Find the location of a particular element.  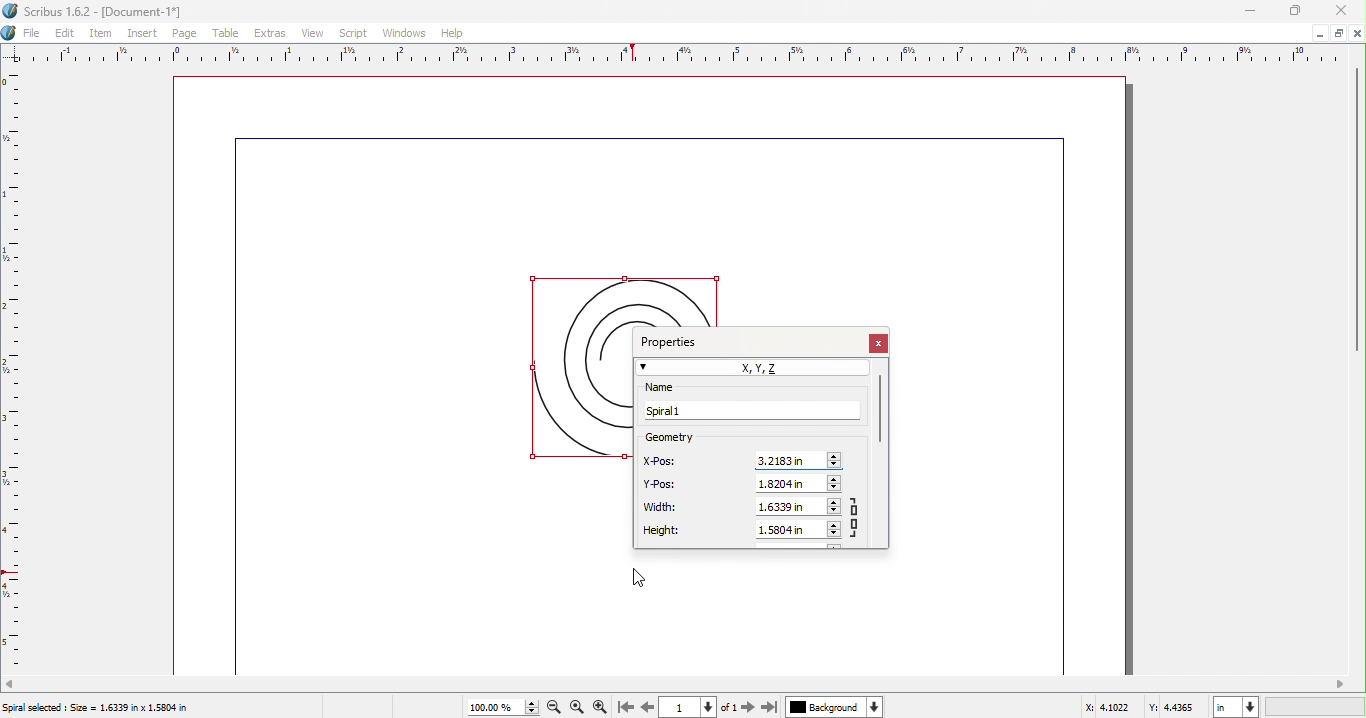

Zoom out is located at coordinates (553, 709).